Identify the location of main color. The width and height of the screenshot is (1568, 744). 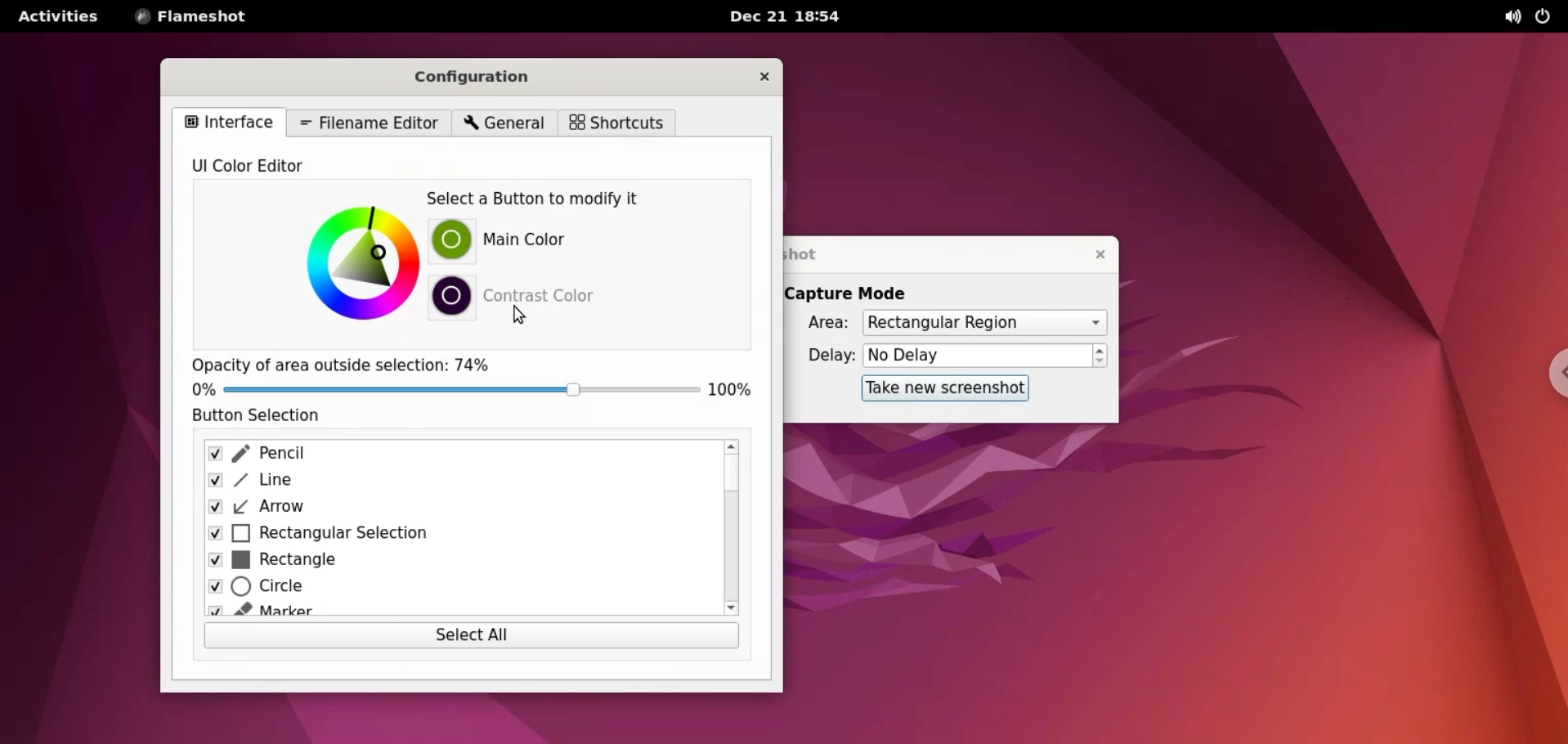
(545, 238).